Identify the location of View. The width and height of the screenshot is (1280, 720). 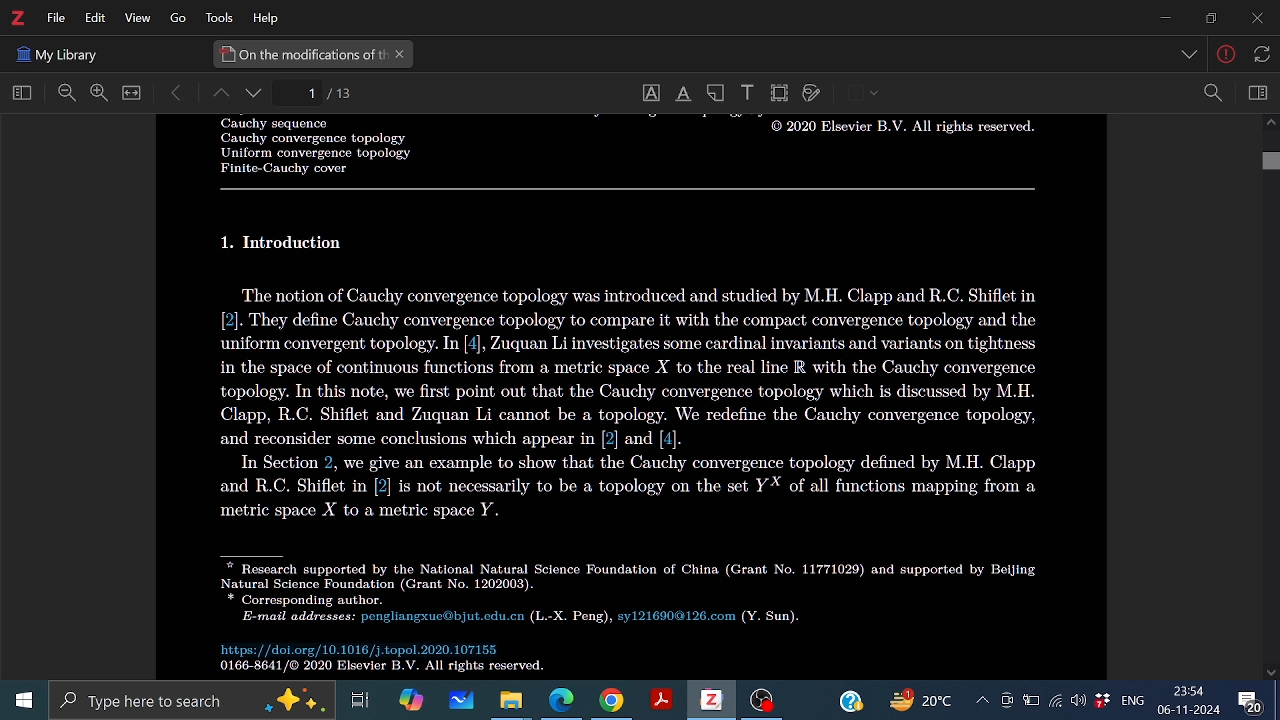
(135, 19).